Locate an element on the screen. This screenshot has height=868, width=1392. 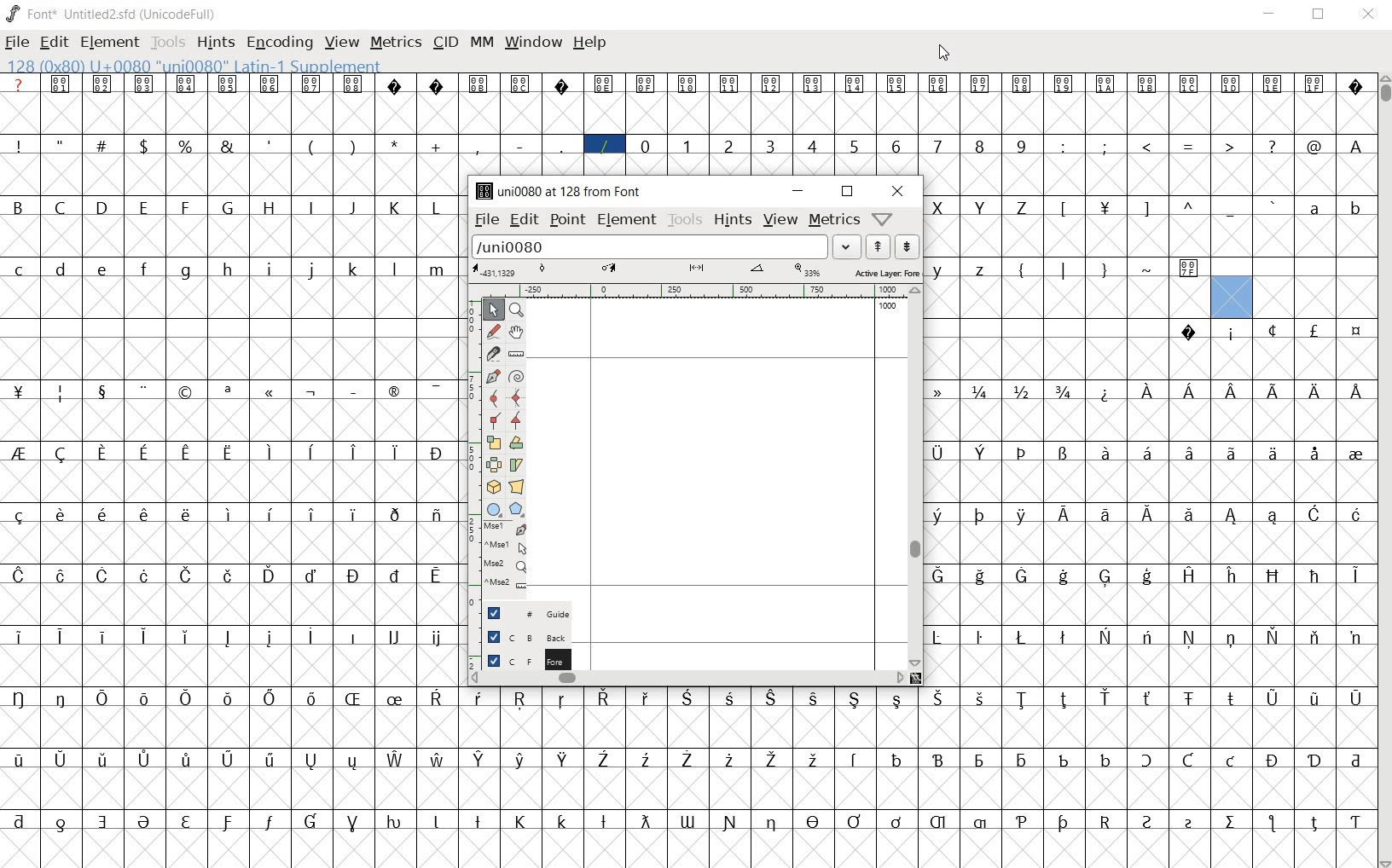
glyph is located at coordinates (1105, 146).